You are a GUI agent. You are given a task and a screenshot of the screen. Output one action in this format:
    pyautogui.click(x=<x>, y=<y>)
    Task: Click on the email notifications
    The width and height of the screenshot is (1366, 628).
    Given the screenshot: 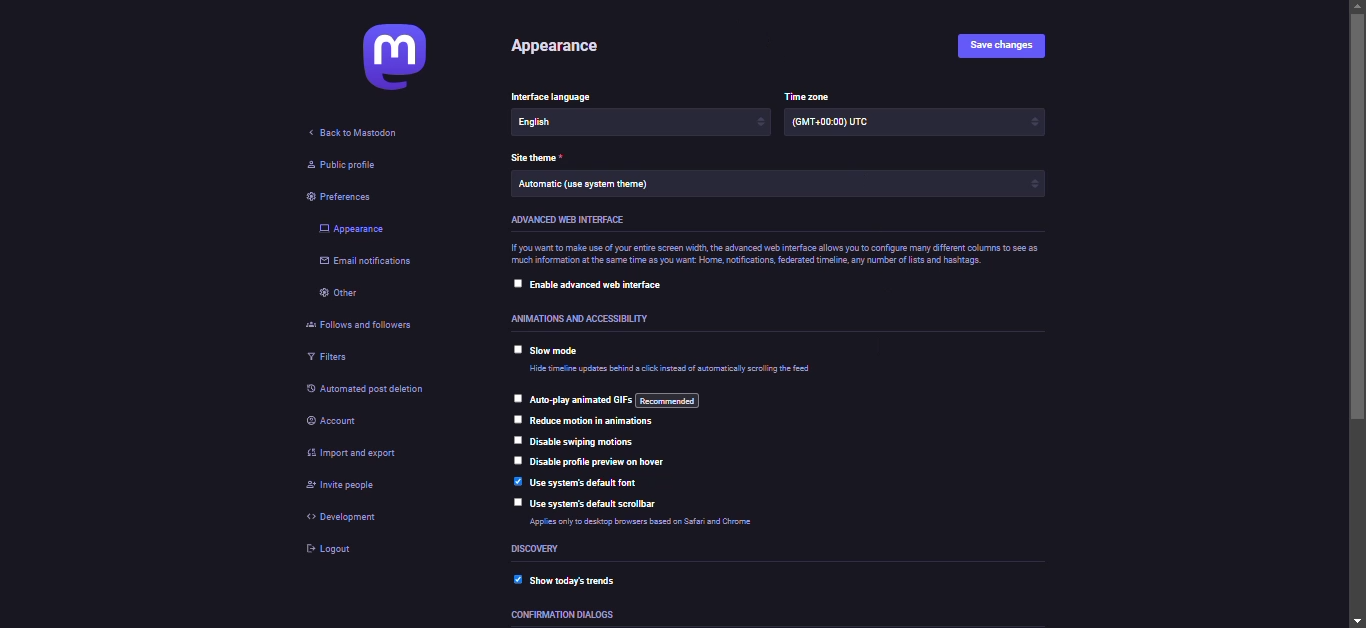 What is the action you would take?
    pyautogui.click(x=369, y=262)
    